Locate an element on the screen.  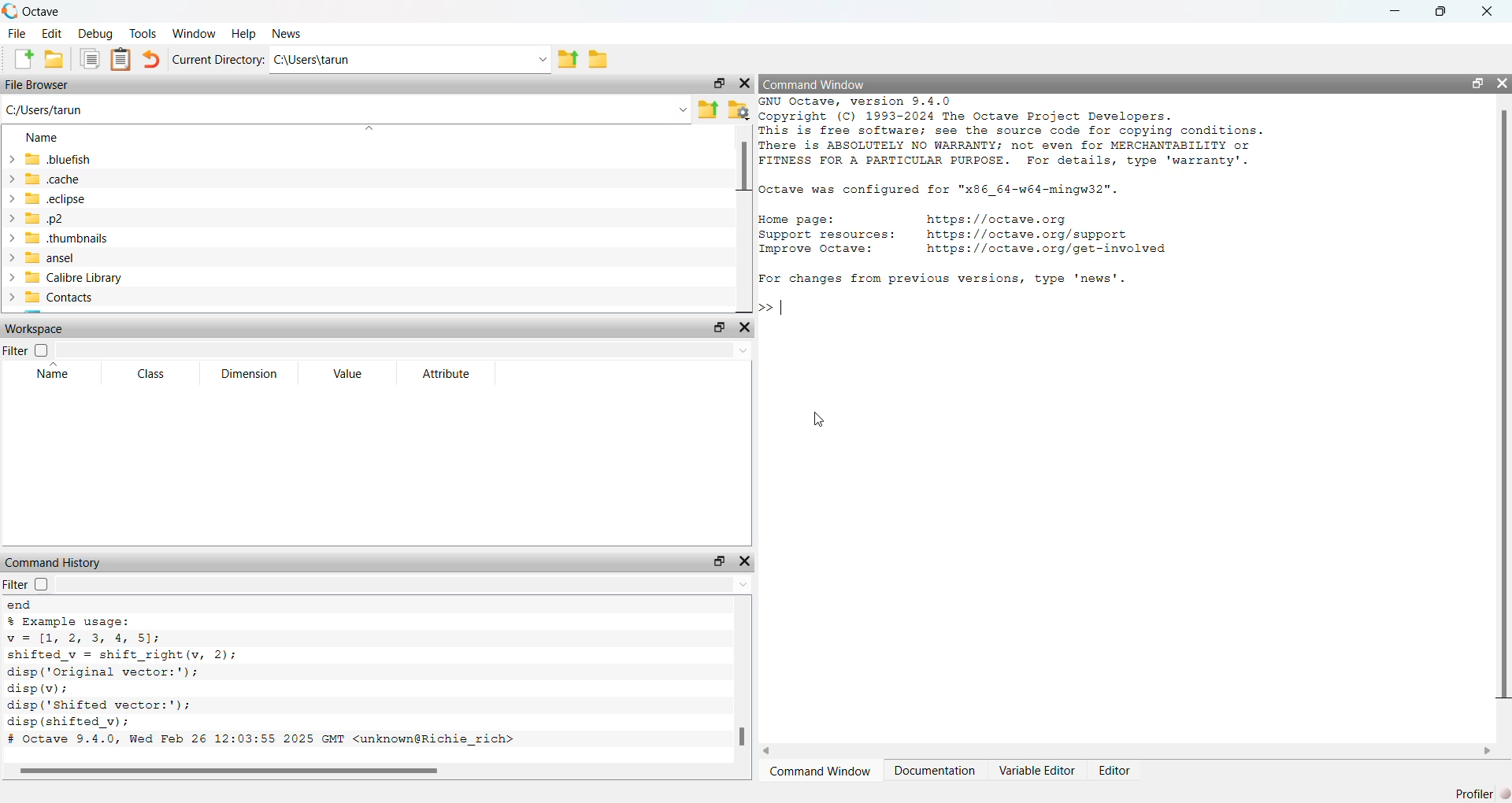
hide widget is located at coordinates (1503, 86).